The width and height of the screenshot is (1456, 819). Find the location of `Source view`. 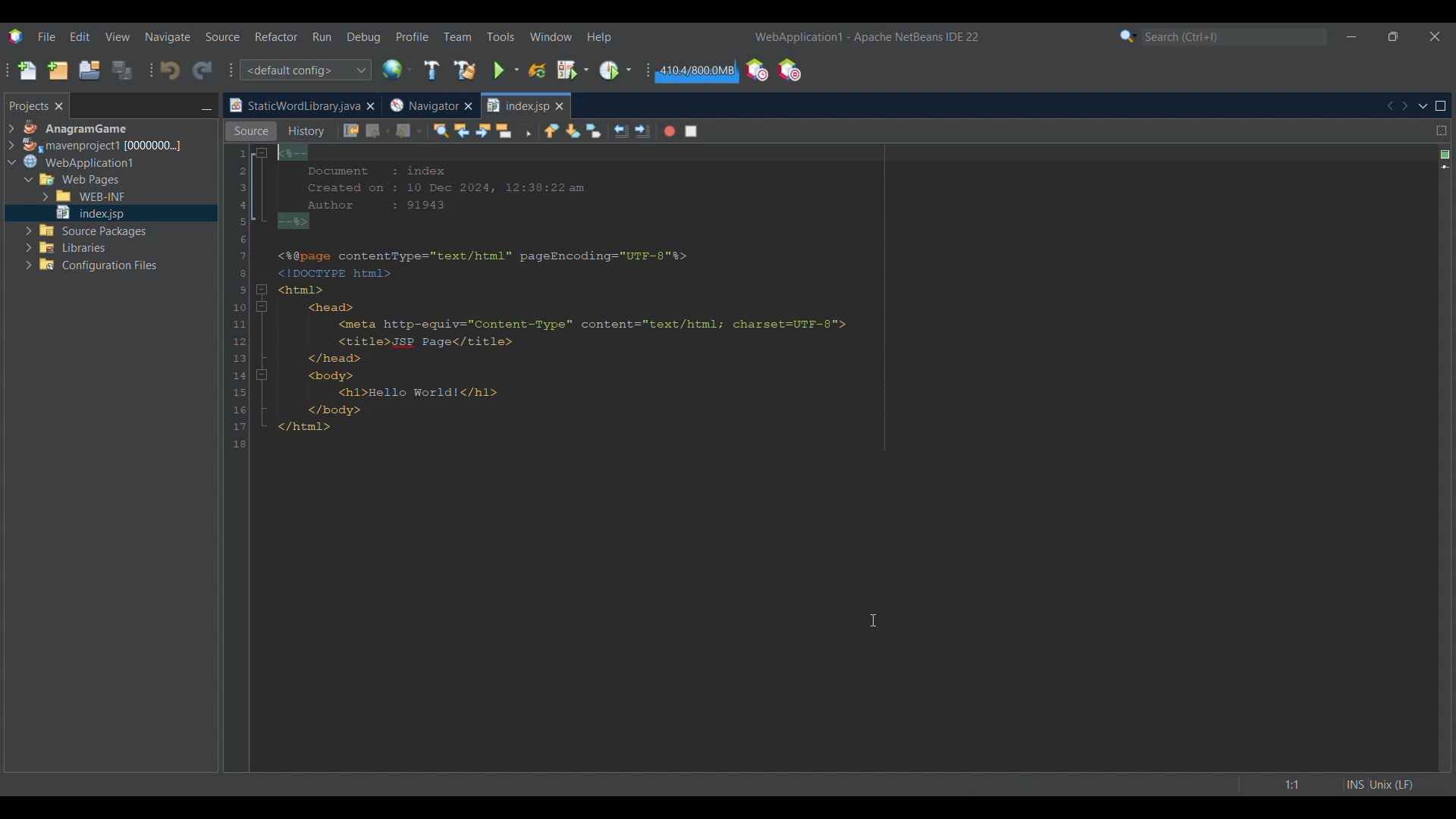

Source view is located at coordinates (251, 131).